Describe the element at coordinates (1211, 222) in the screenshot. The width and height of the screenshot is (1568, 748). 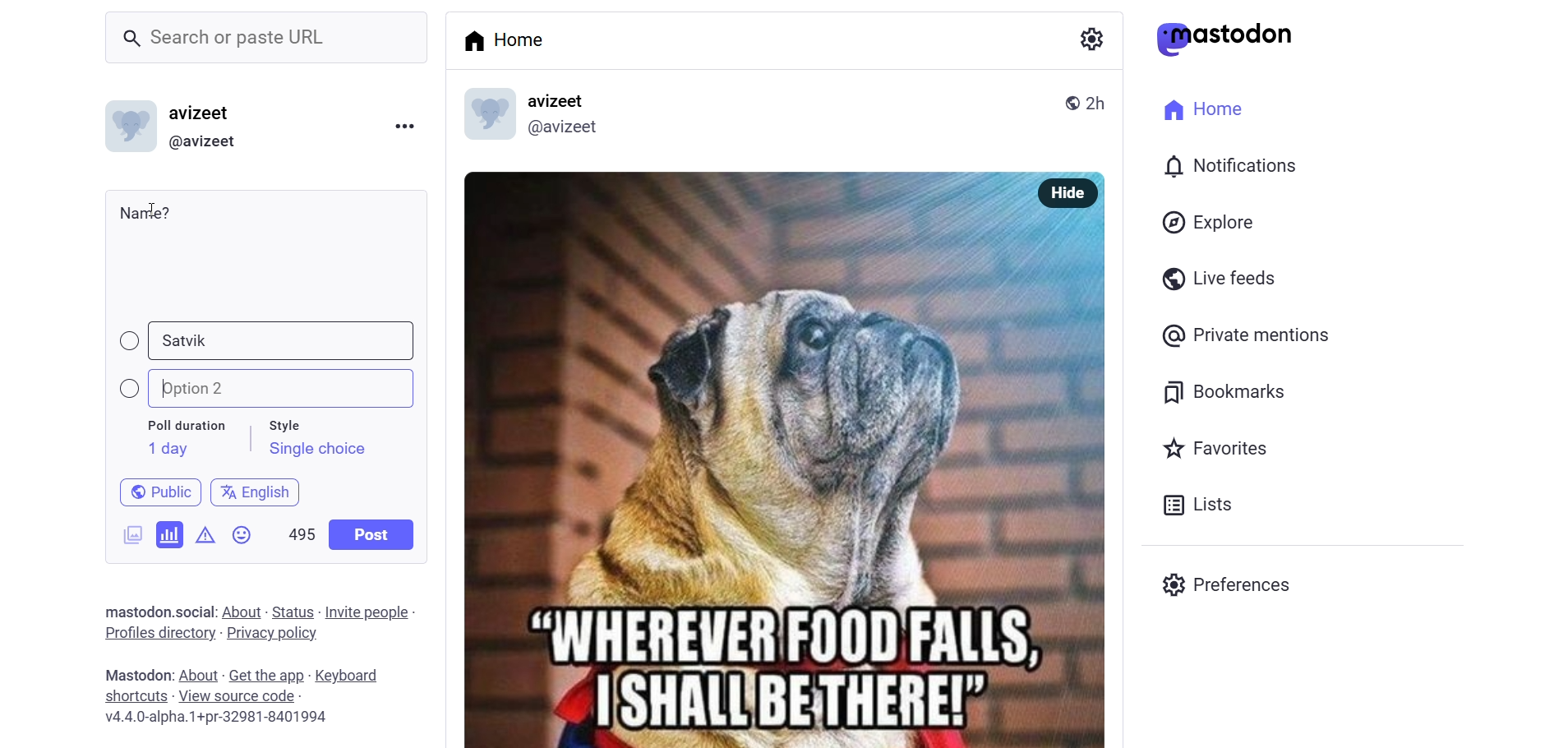
I see `explore` at that location.